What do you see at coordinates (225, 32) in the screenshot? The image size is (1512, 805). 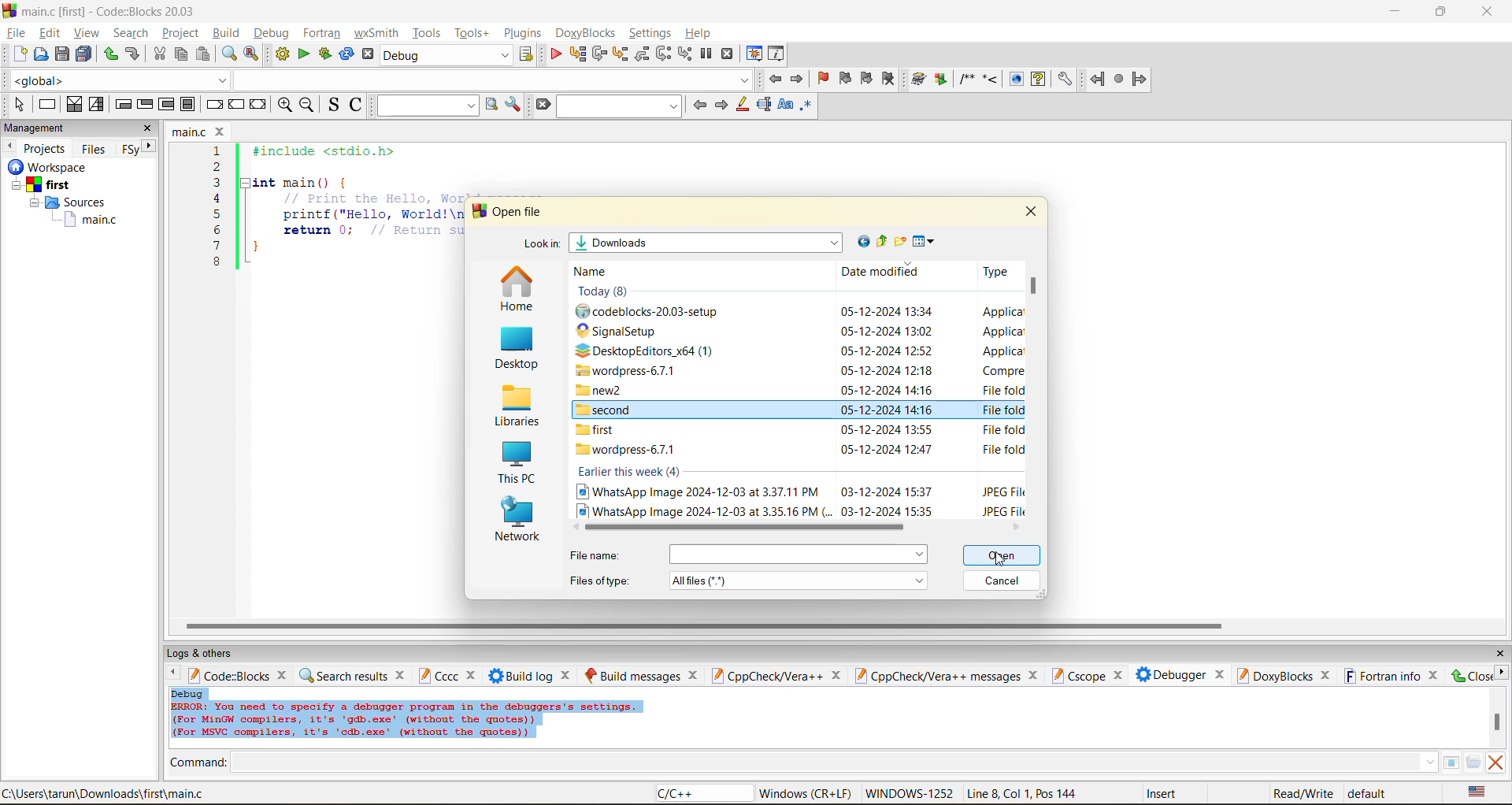 I see `build` at bounding box center [225, 32].